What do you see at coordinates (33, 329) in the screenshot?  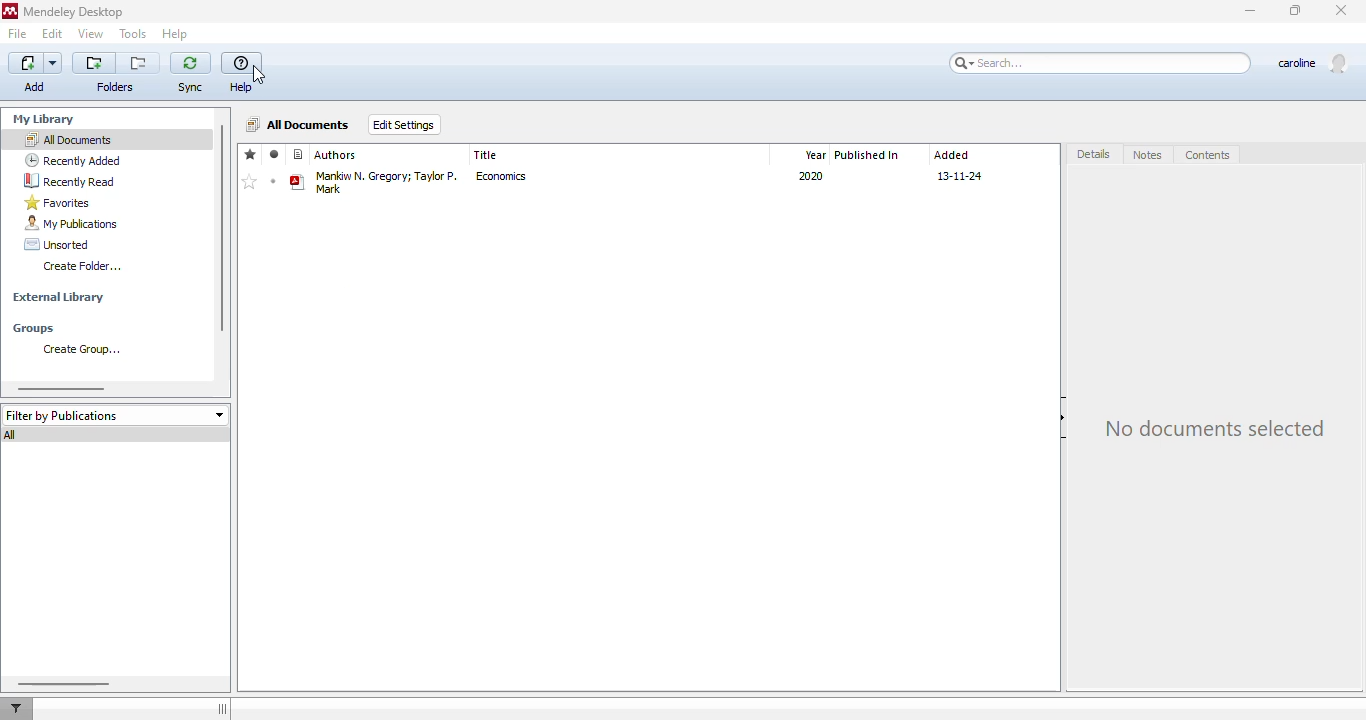 I see `groups` at bounding box center [33, 329].